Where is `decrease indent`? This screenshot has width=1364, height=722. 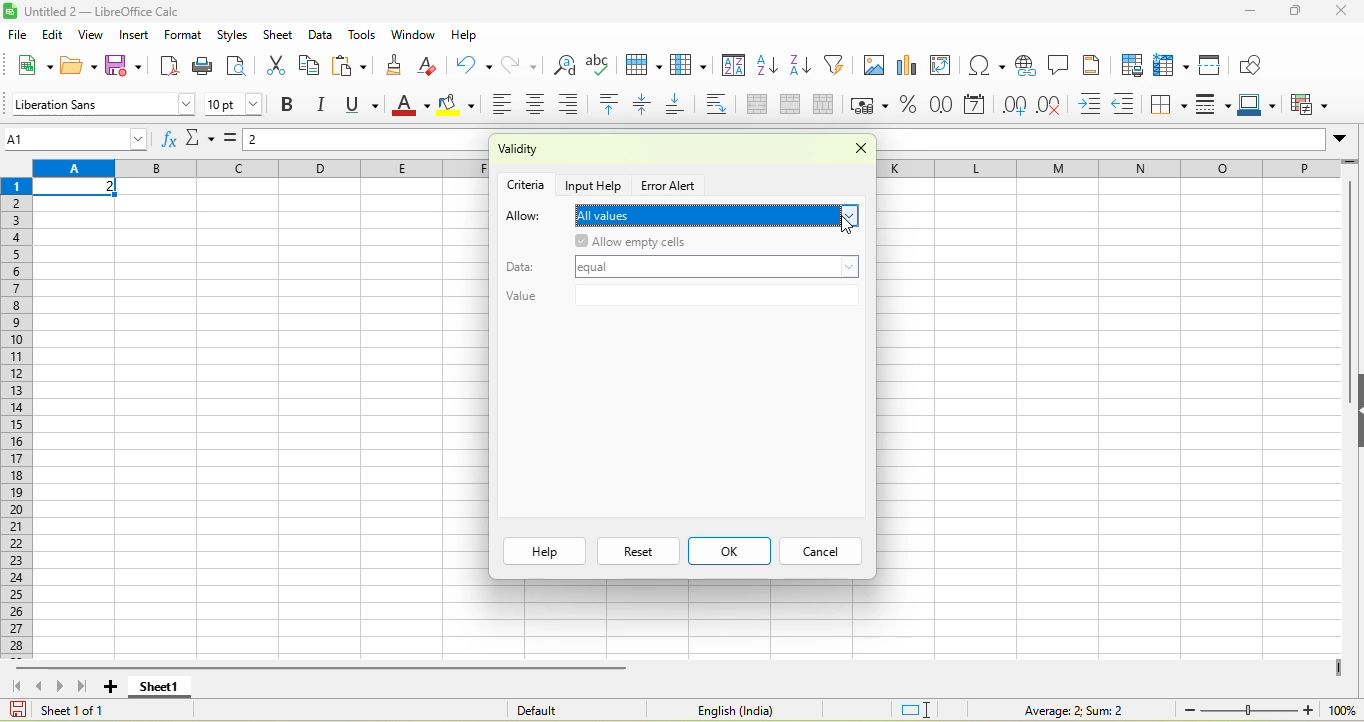
decrease indent is located at coordinates (1129, 106).